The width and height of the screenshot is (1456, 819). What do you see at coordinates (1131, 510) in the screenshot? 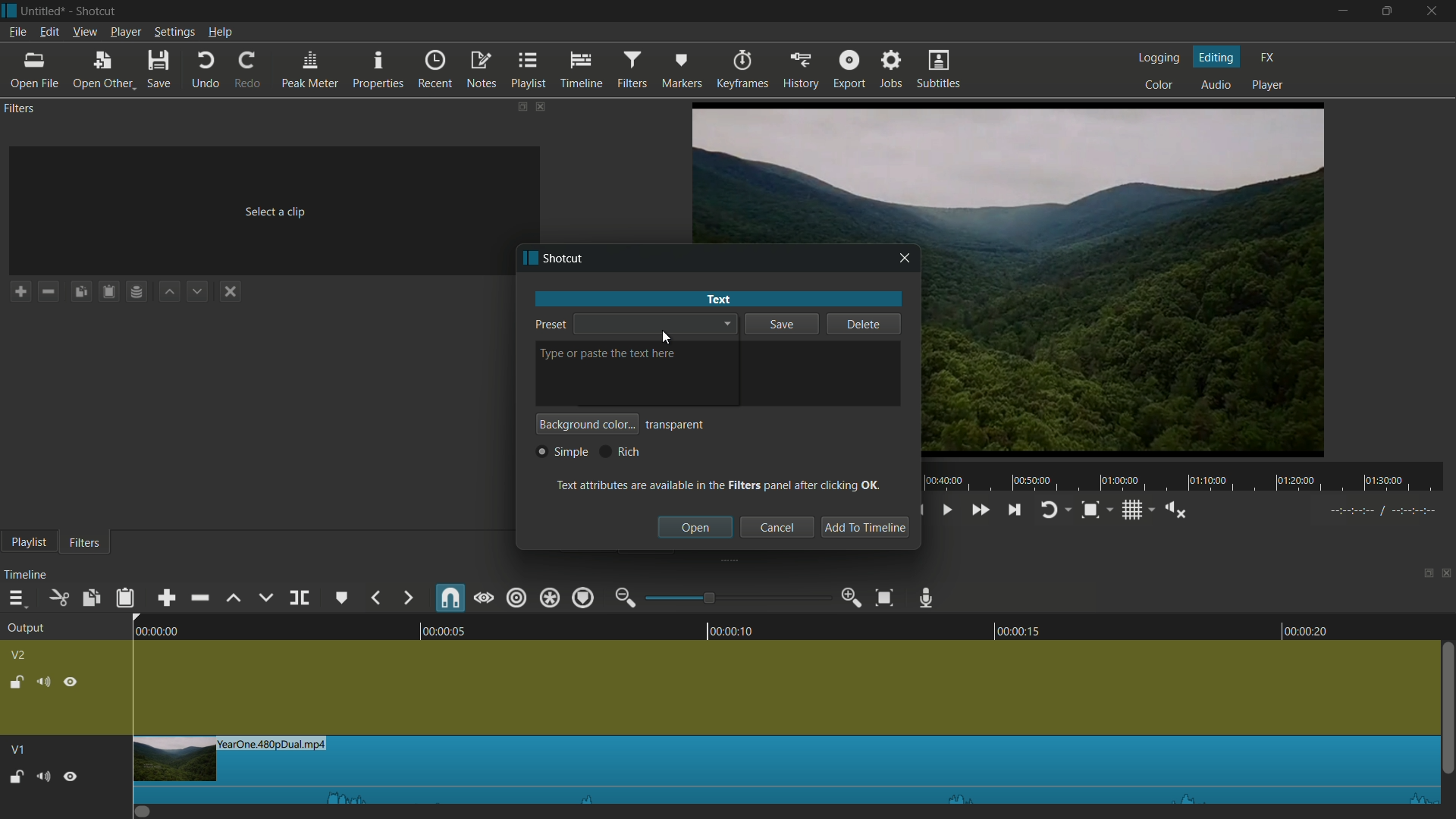
I see `toggle grid` at bounding box center [1131, 510].